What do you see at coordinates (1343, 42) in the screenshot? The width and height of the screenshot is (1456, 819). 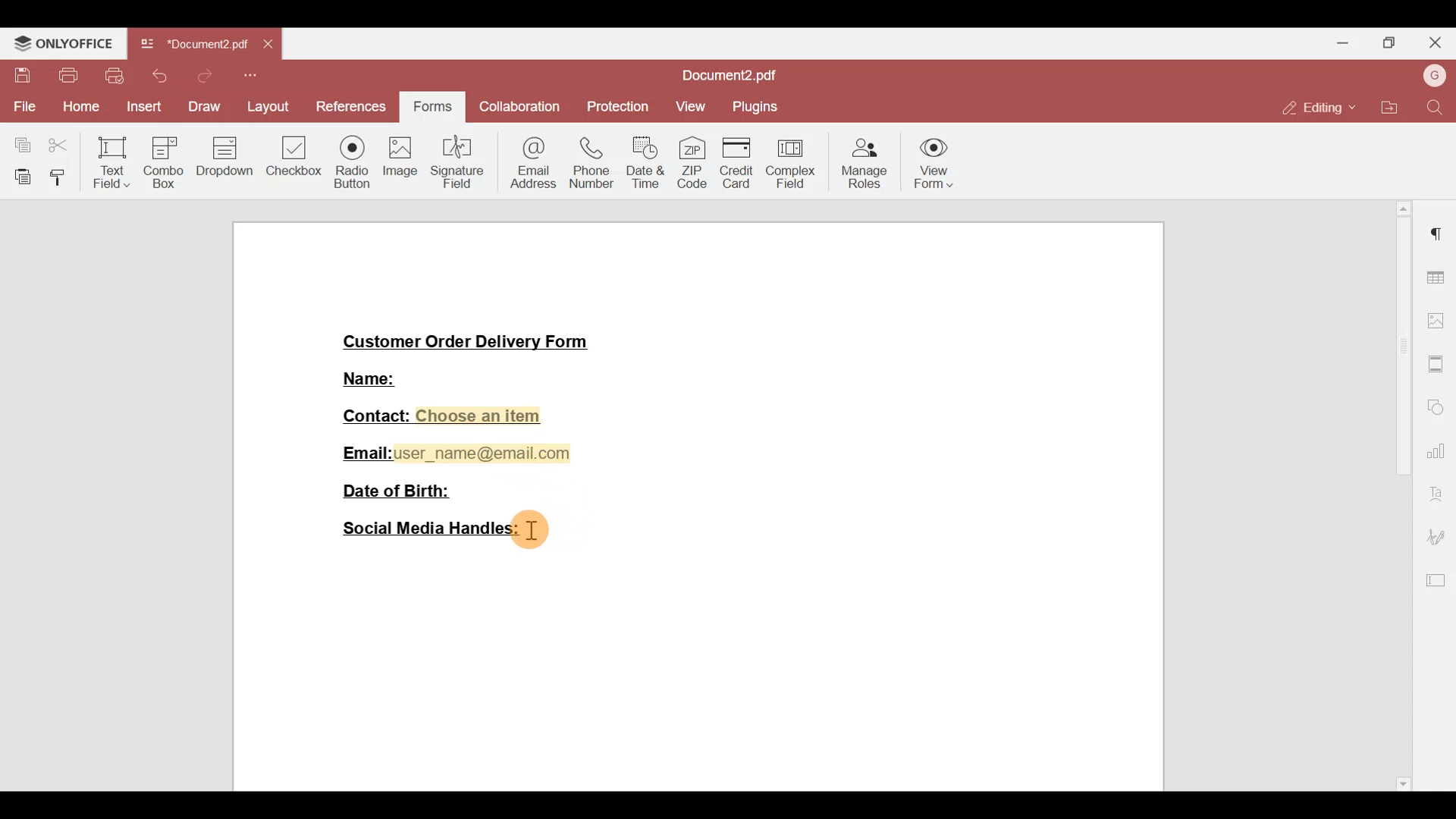 I see `Minimize` at bounding box center [1343, 42].